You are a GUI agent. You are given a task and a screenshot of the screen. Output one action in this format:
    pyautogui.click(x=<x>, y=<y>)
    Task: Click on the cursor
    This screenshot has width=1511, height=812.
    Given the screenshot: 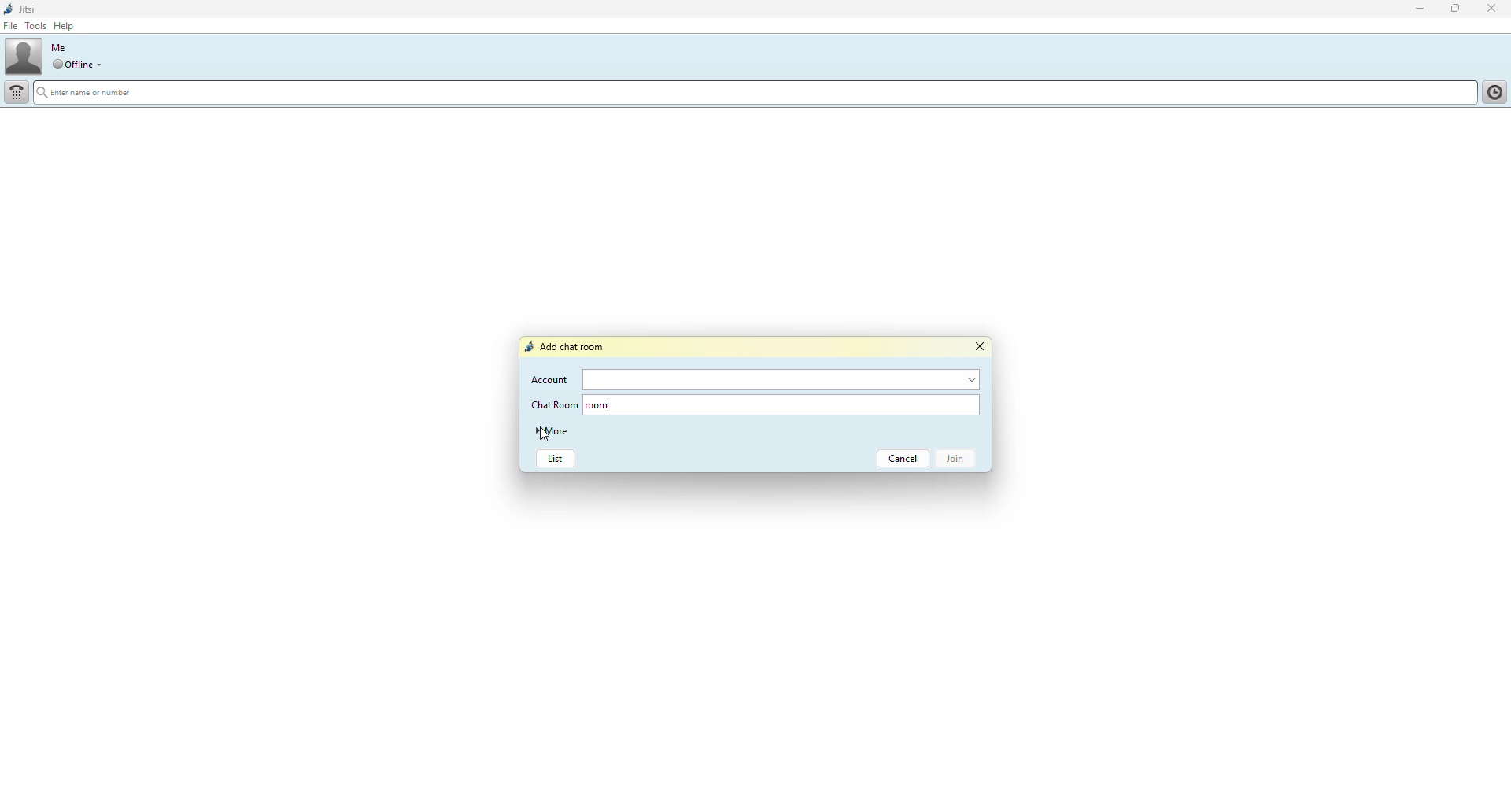 What is the action you would take?
    pyautogui.click(x=545, y=435)
    